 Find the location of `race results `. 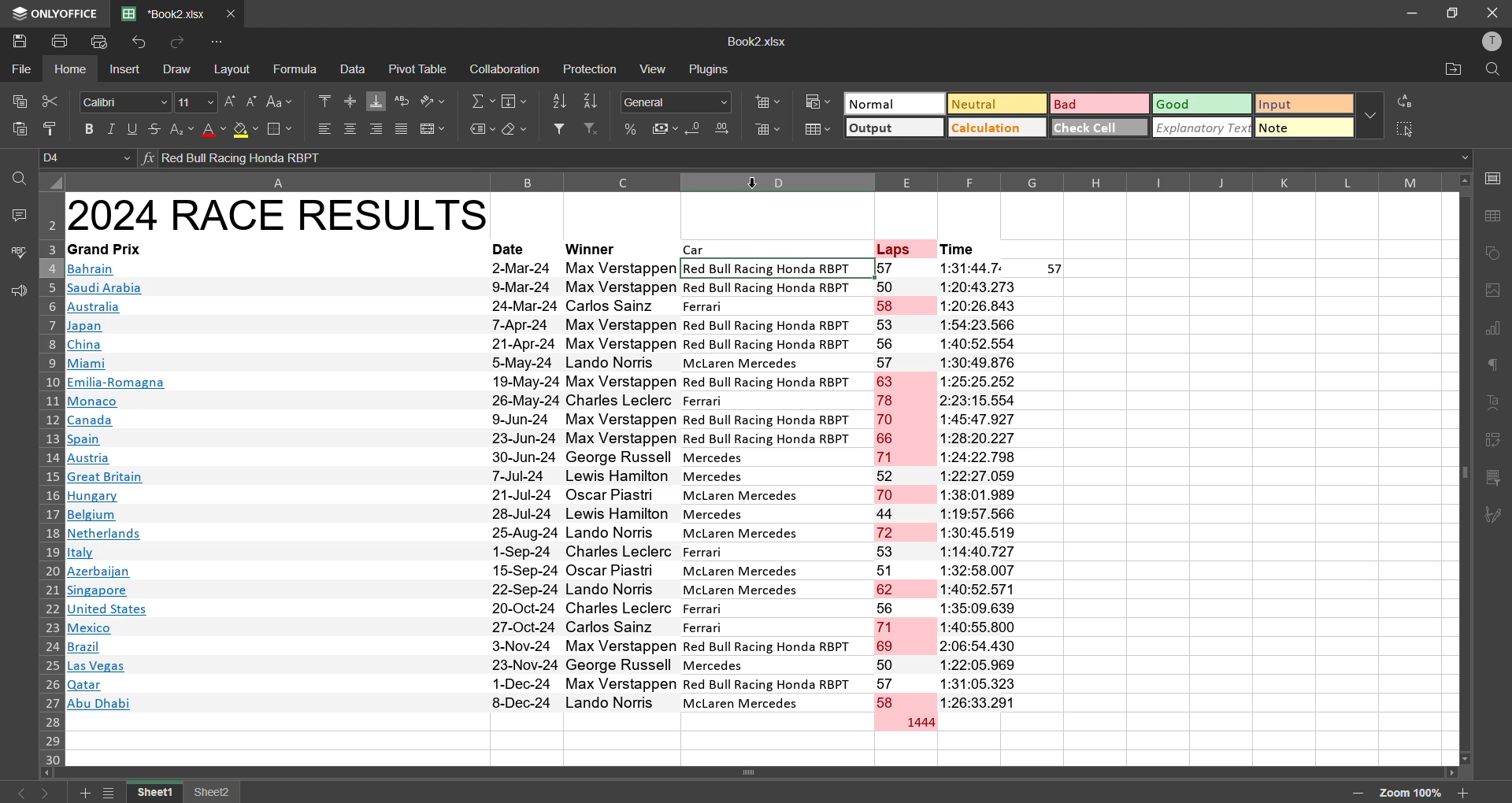

race results  is located at coordinates (278, 214).